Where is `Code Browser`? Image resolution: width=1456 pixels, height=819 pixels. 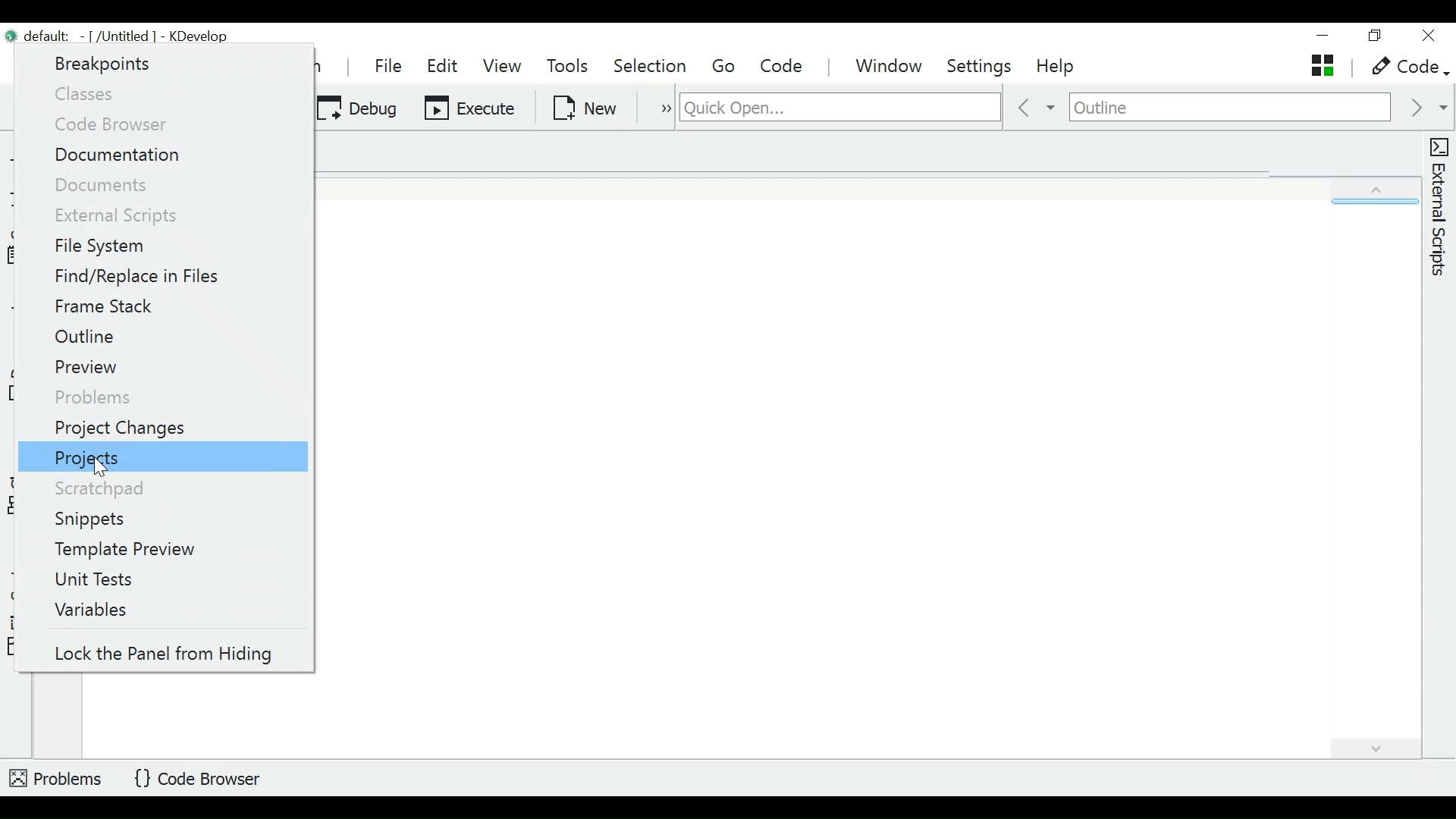 Code Browser is located at coordinates (115, 124).